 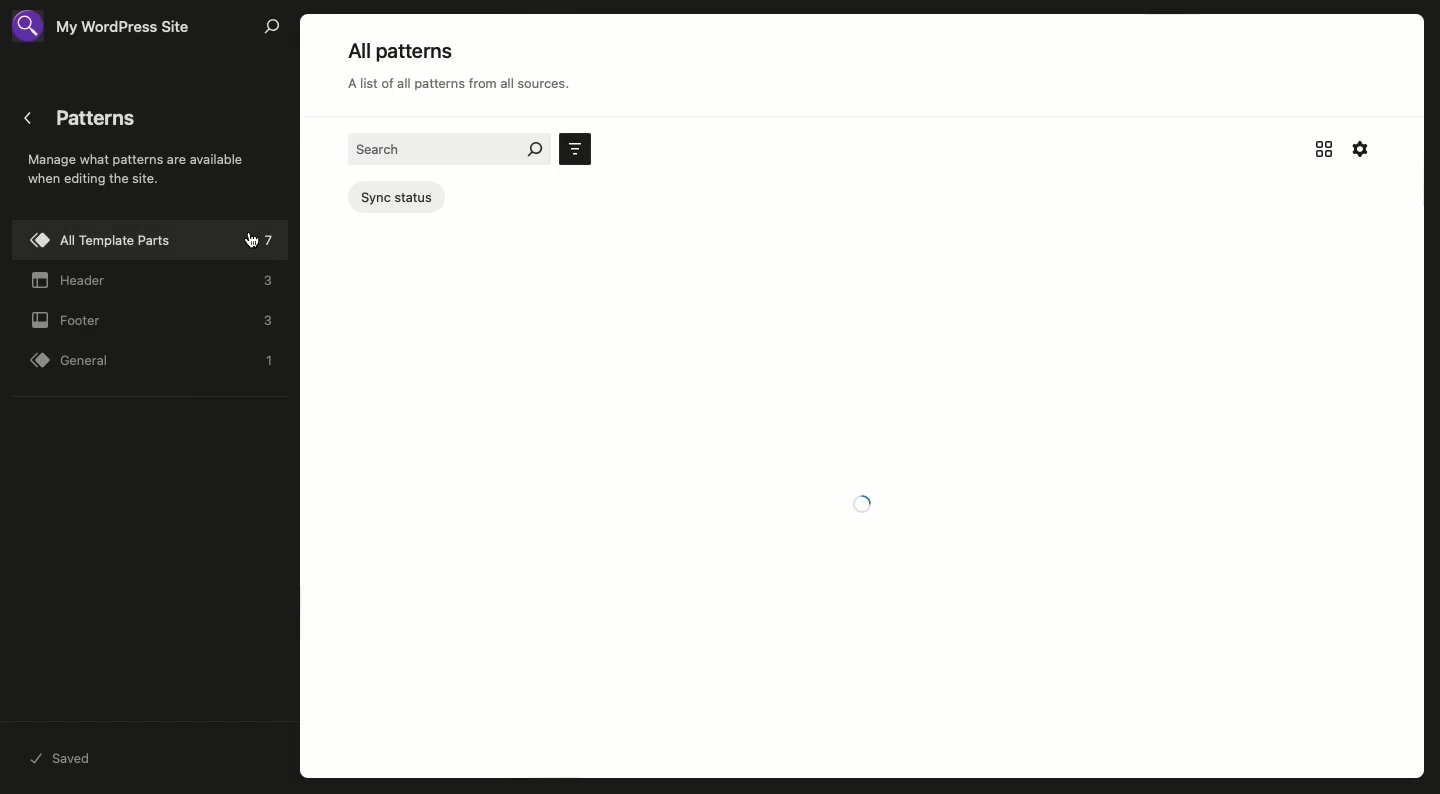 What do you see at coordinates (576, 149) in the screenshot?
I see `Sort` at bounding box center [576, 149].